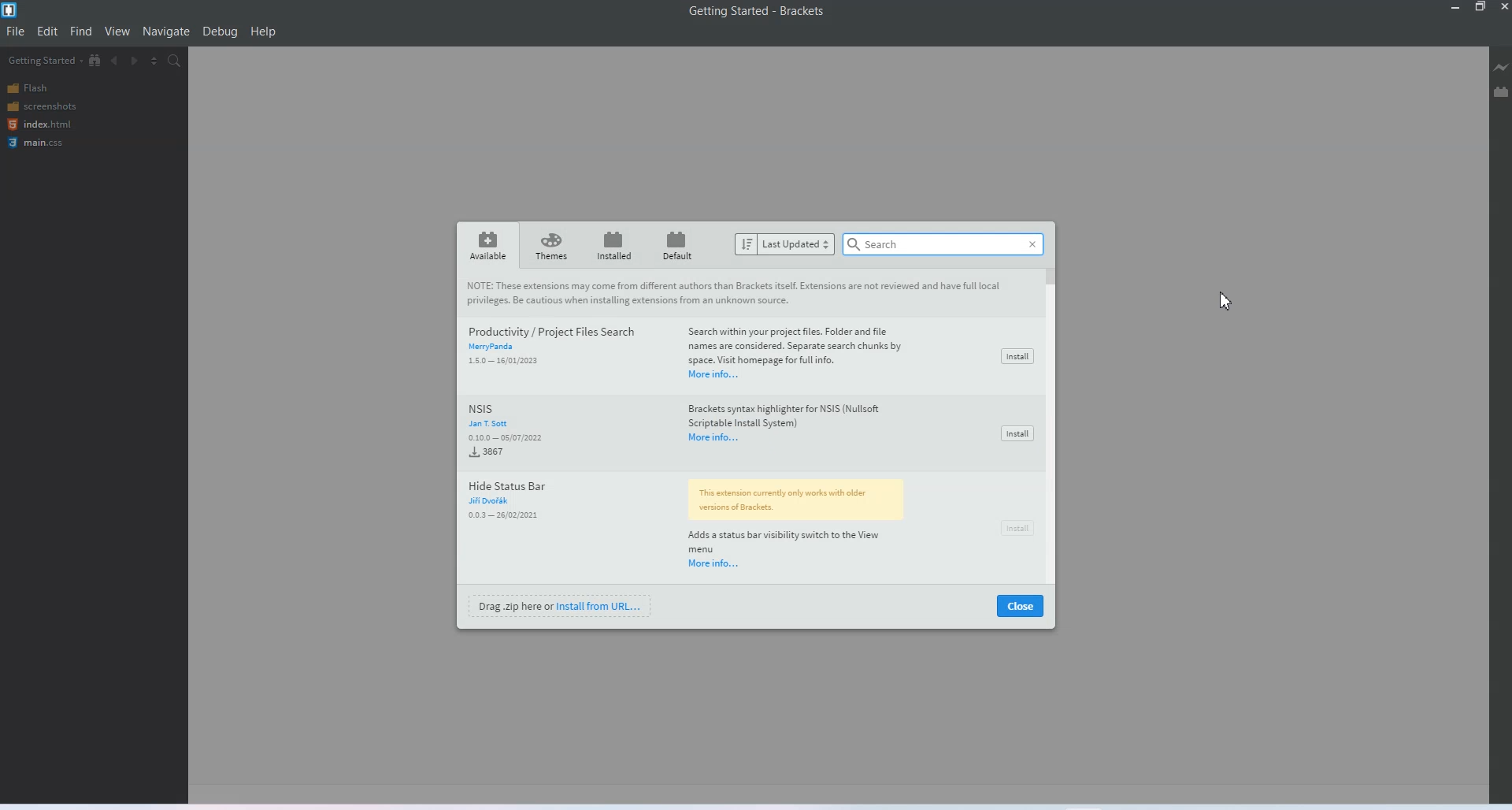 The height and width of the screenshot is (810, 1512). Describe the element at coordinates (1503, 66) in the screenshot. I see `Live preview` at that location.